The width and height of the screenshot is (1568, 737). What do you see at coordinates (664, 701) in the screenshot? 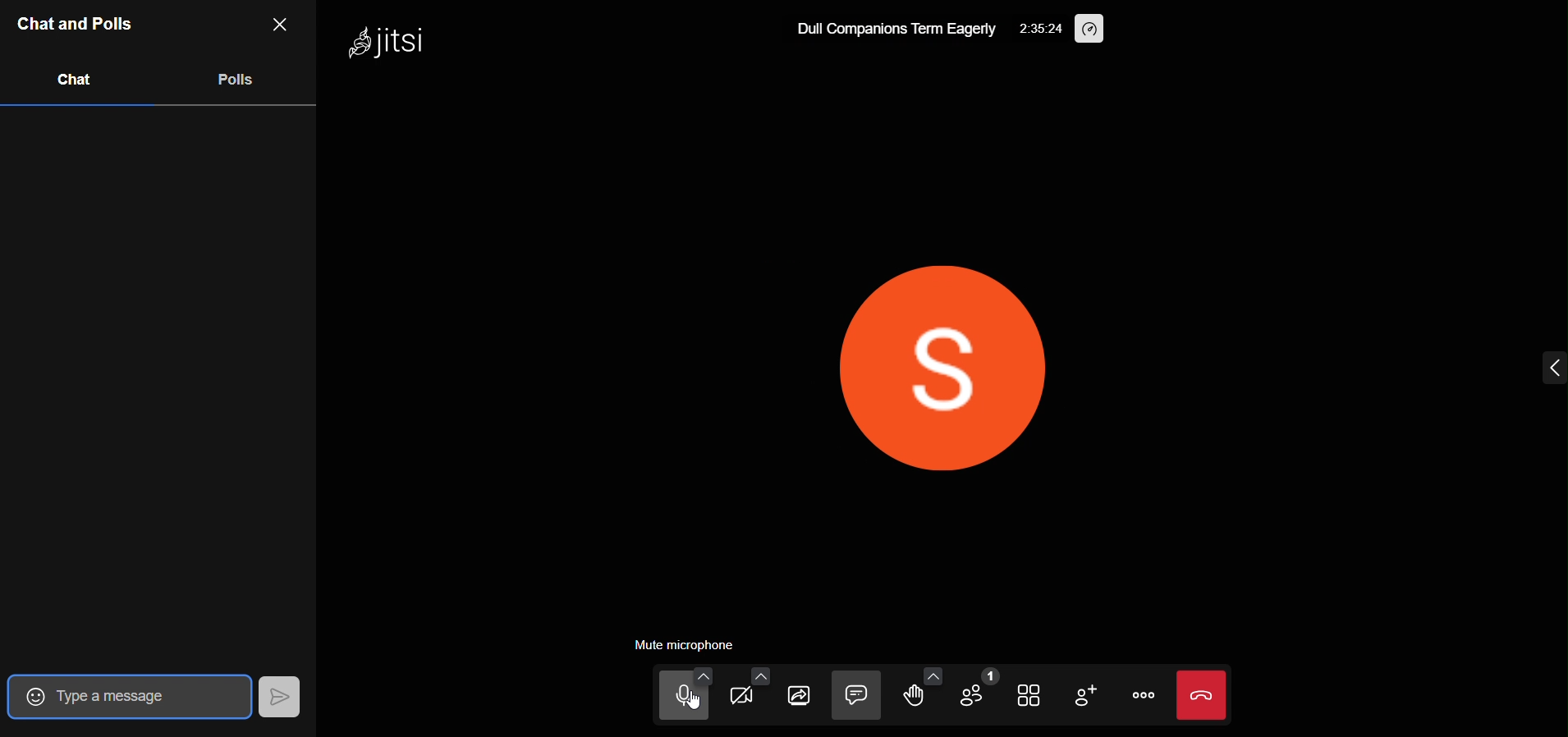
I see `microphone ` at bounding box center [664, 701].